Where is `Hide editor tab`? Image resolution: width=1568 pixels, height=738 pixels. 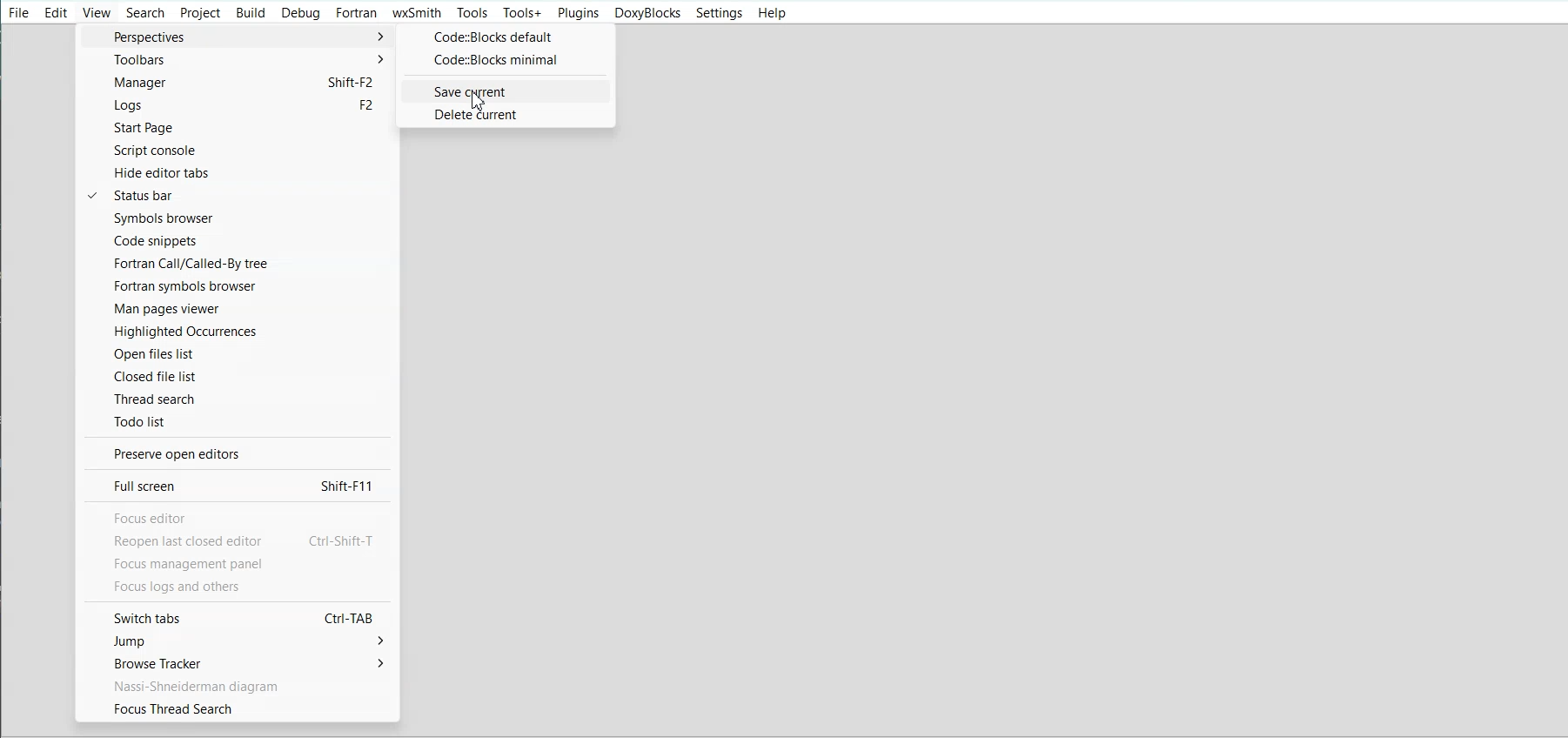
Hide editor tab is located at coordinates (239, 172).